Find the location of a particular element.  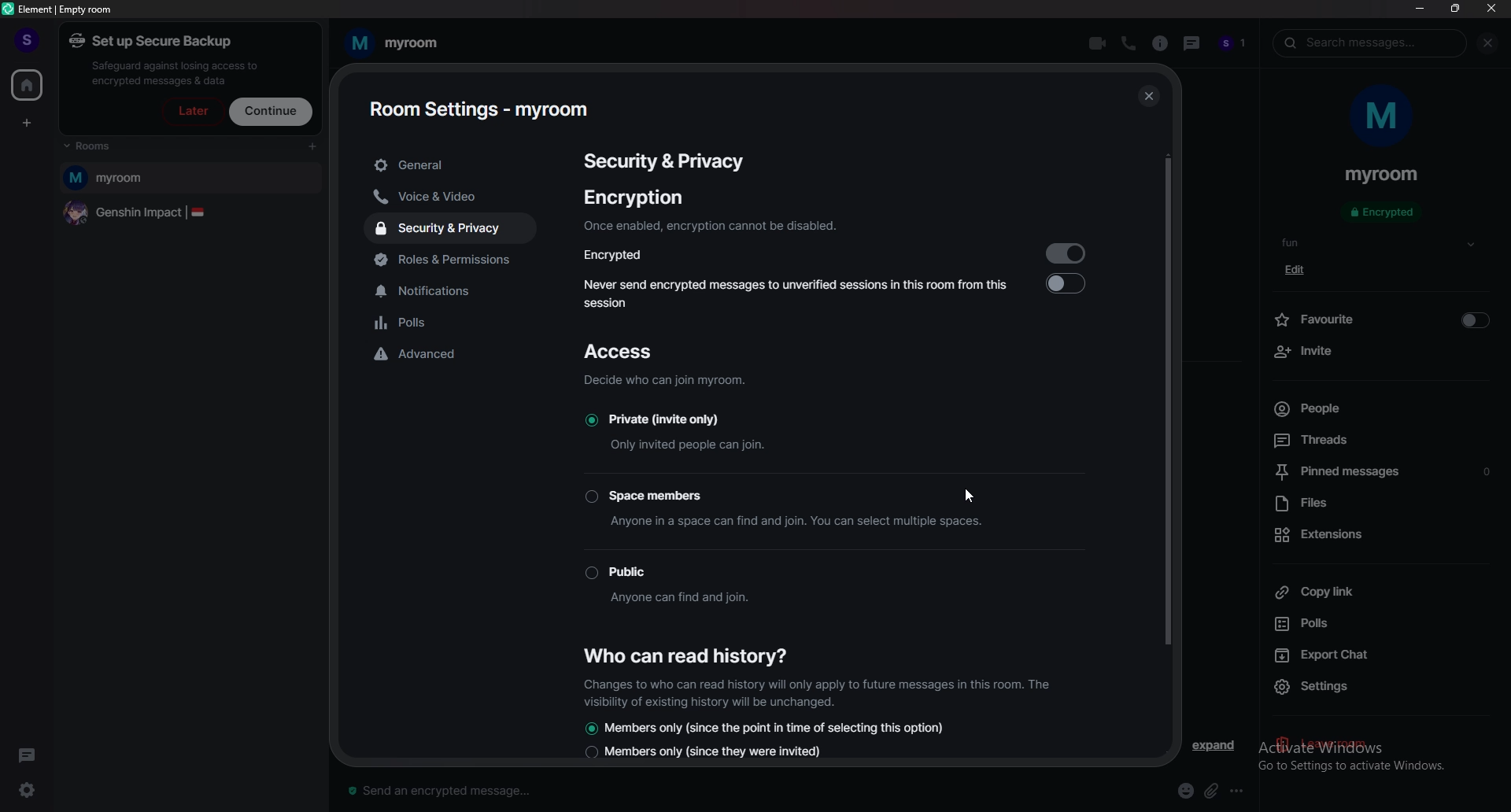

threads is located at coordinates (29, 753).